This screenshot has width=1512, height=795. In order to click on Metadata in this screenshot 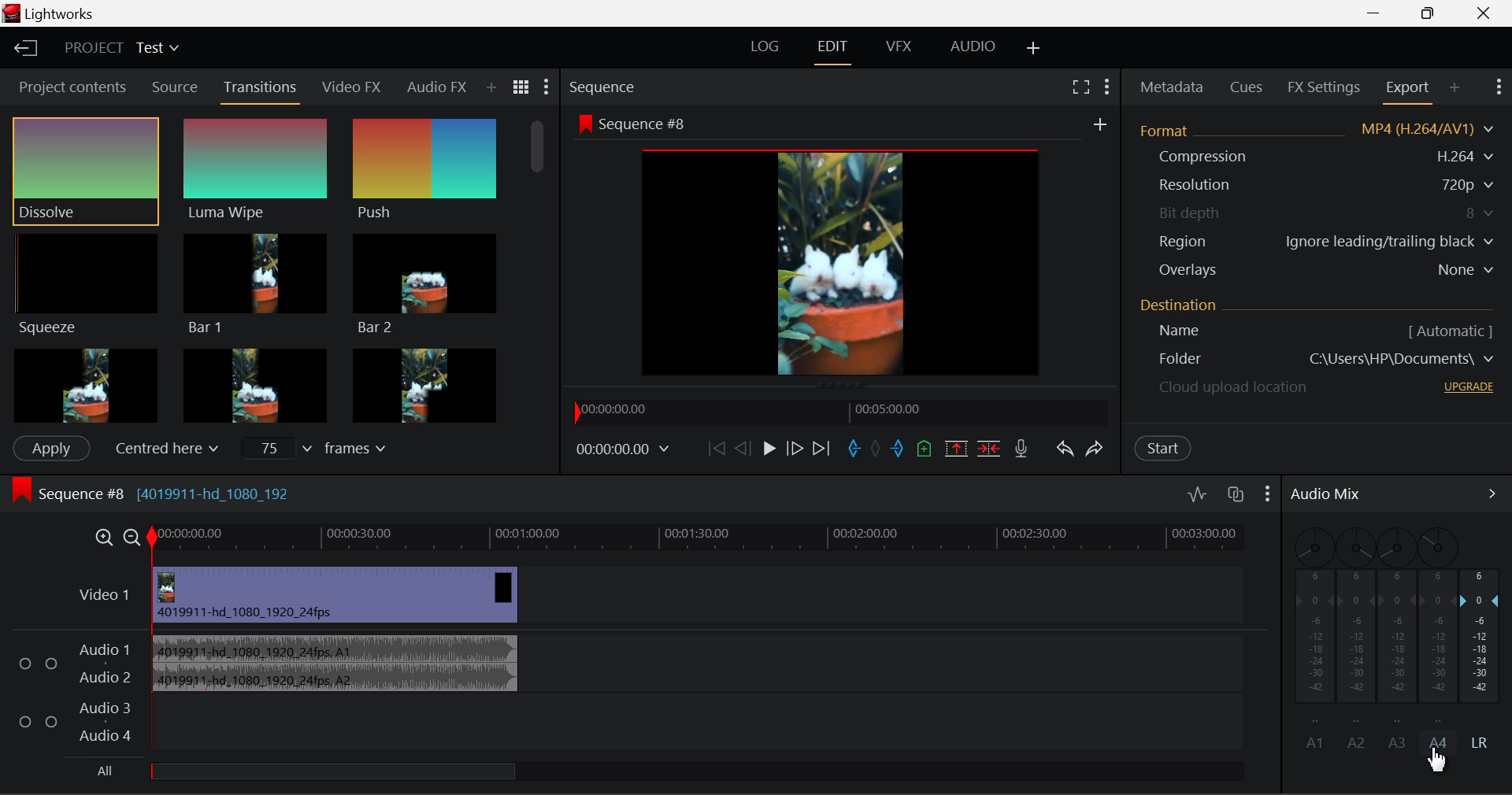, I will do `click(1171, 88)`.